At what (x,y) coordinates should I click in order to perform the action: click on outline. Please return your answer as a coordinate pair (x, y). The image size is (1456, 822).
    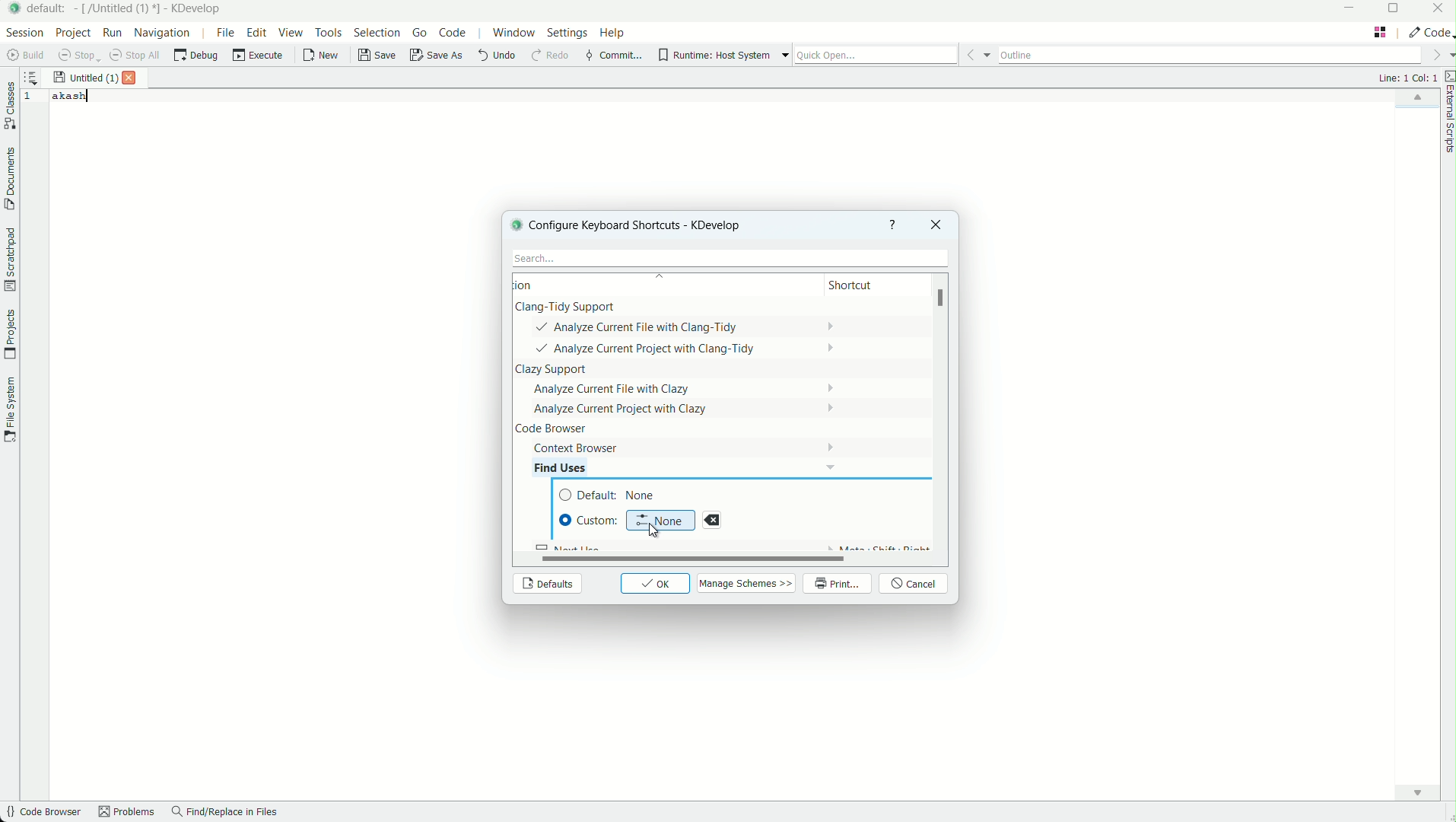
    Looking at the image, I should click on (1210, 53).